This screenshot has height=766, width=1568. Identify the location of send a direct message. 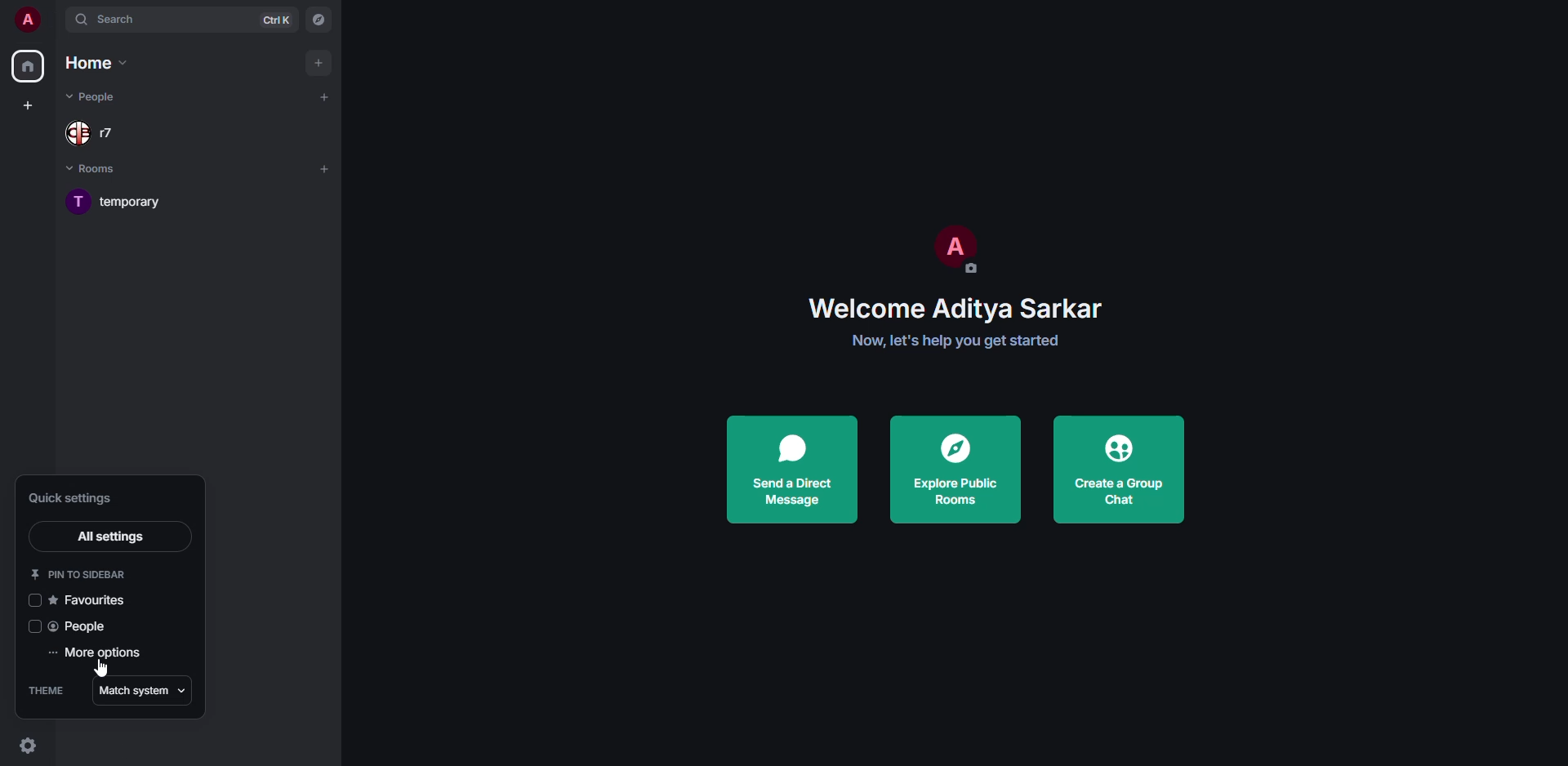
(792, 469).